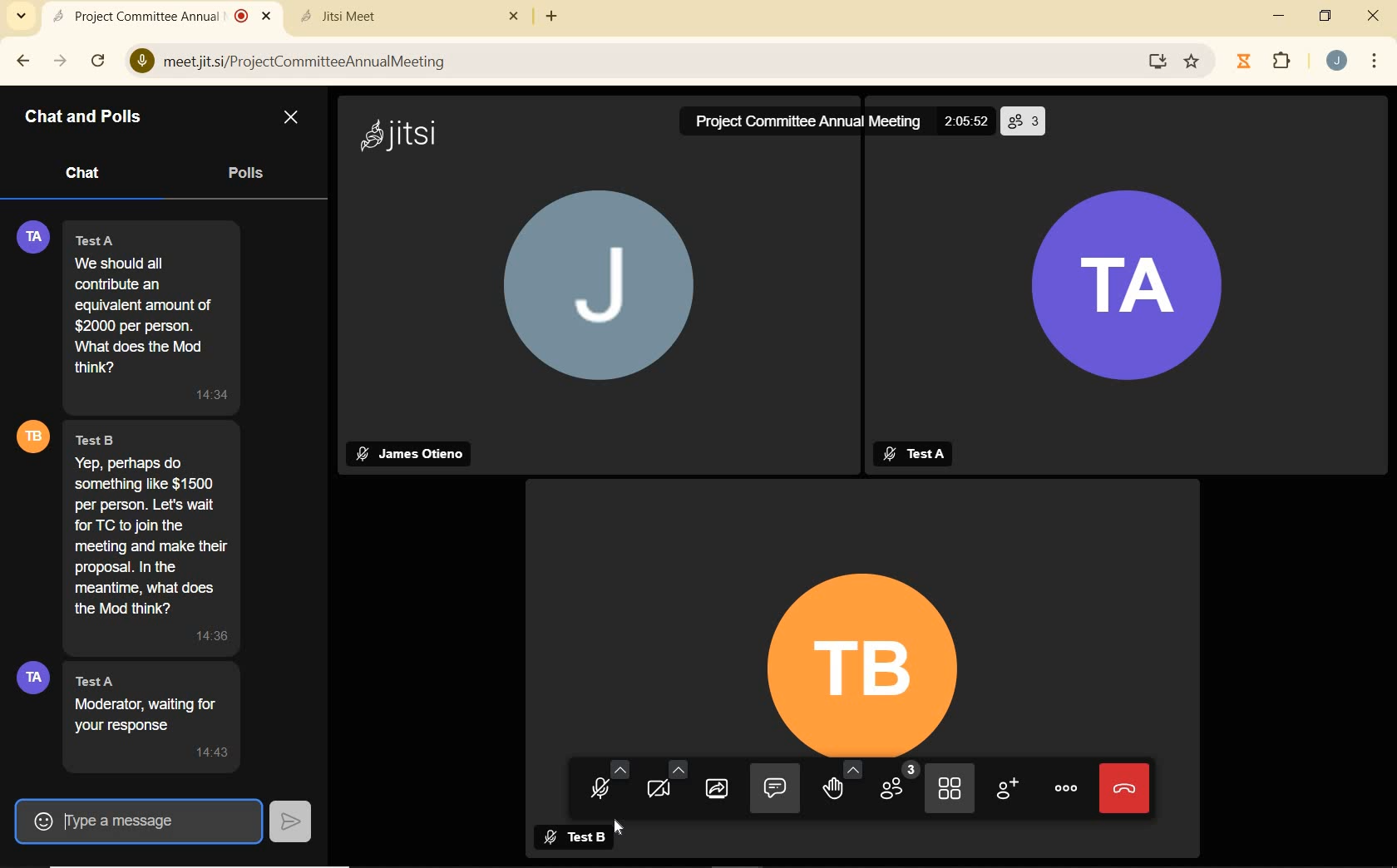  I want to click on Bookmark , so click(1198, 62).